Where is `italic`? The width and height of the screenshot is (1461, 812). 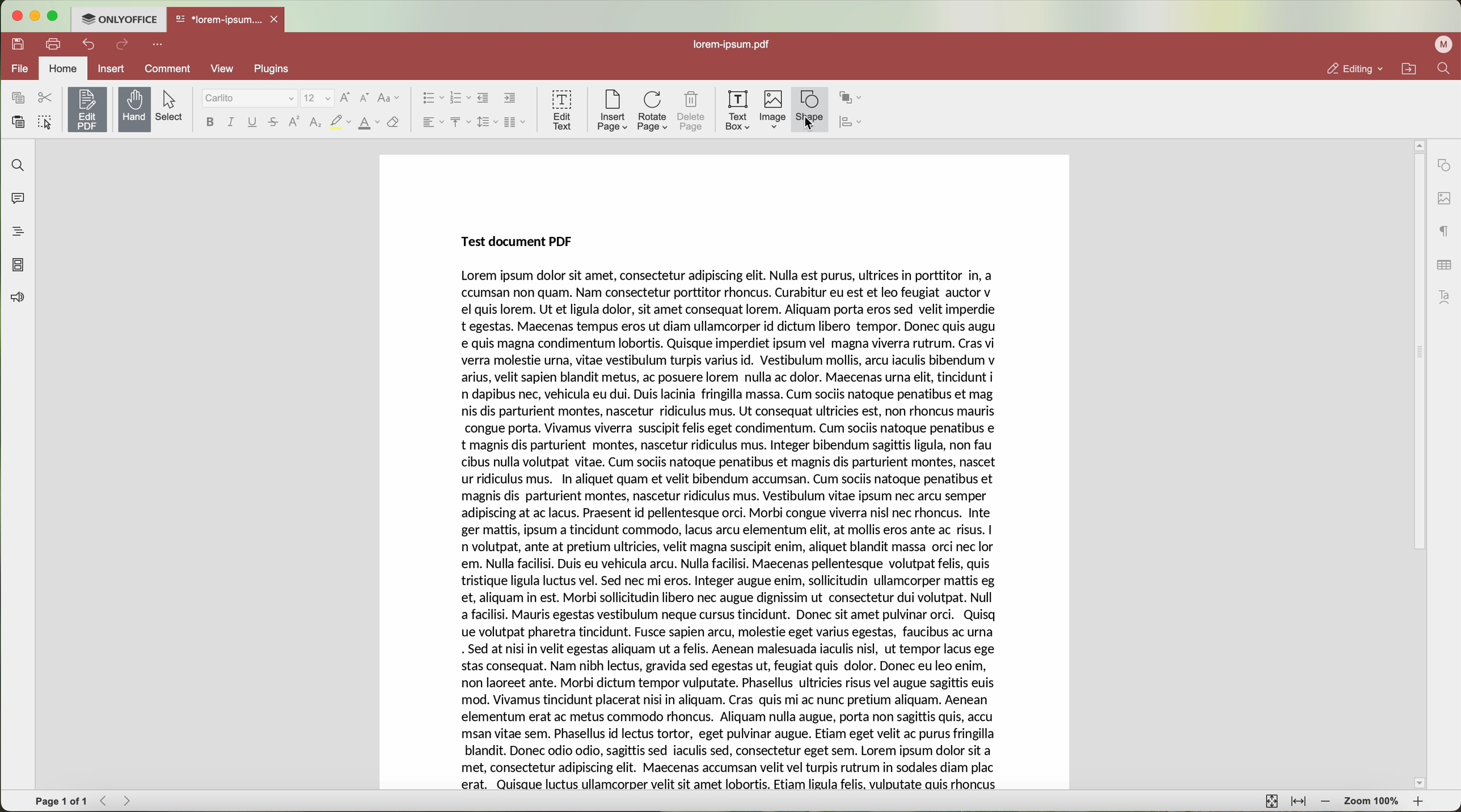
italic is located at coordinates (230, 121).